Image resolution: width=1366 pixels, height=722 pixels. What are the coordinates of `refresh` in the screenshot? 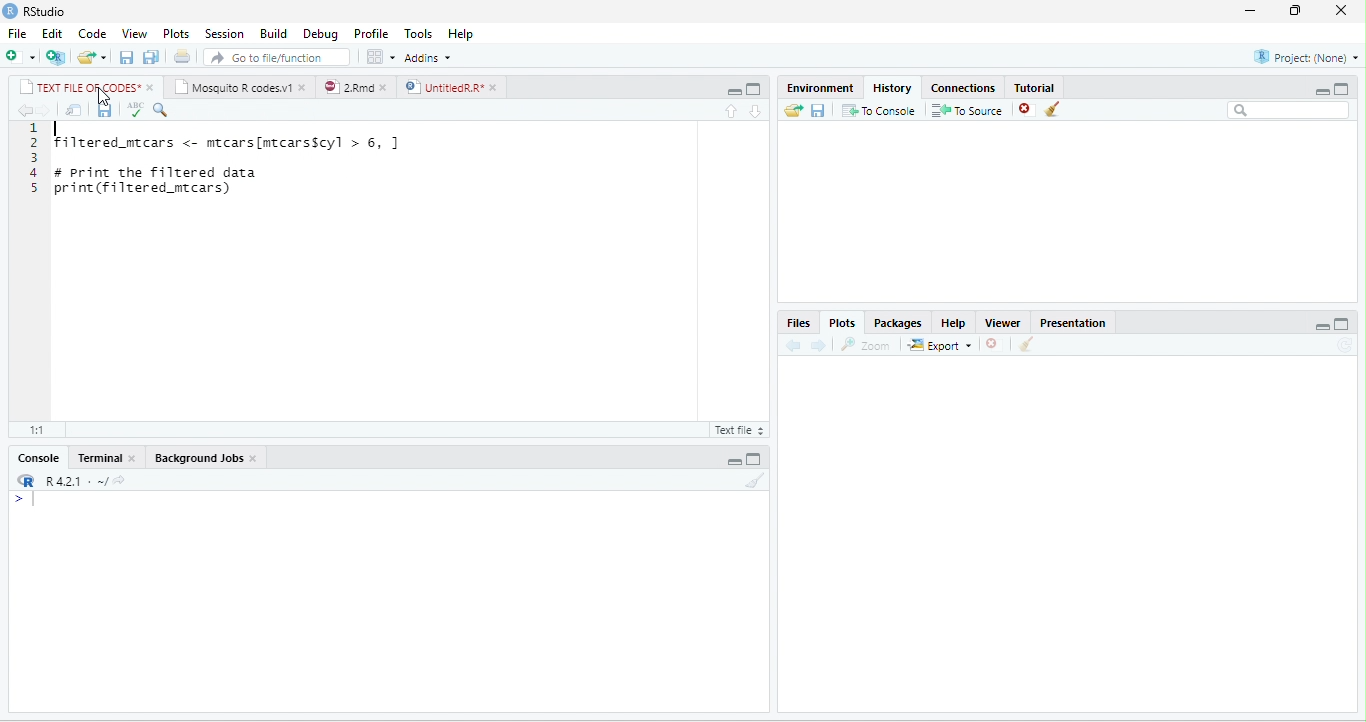 It's located at (1345, 345).